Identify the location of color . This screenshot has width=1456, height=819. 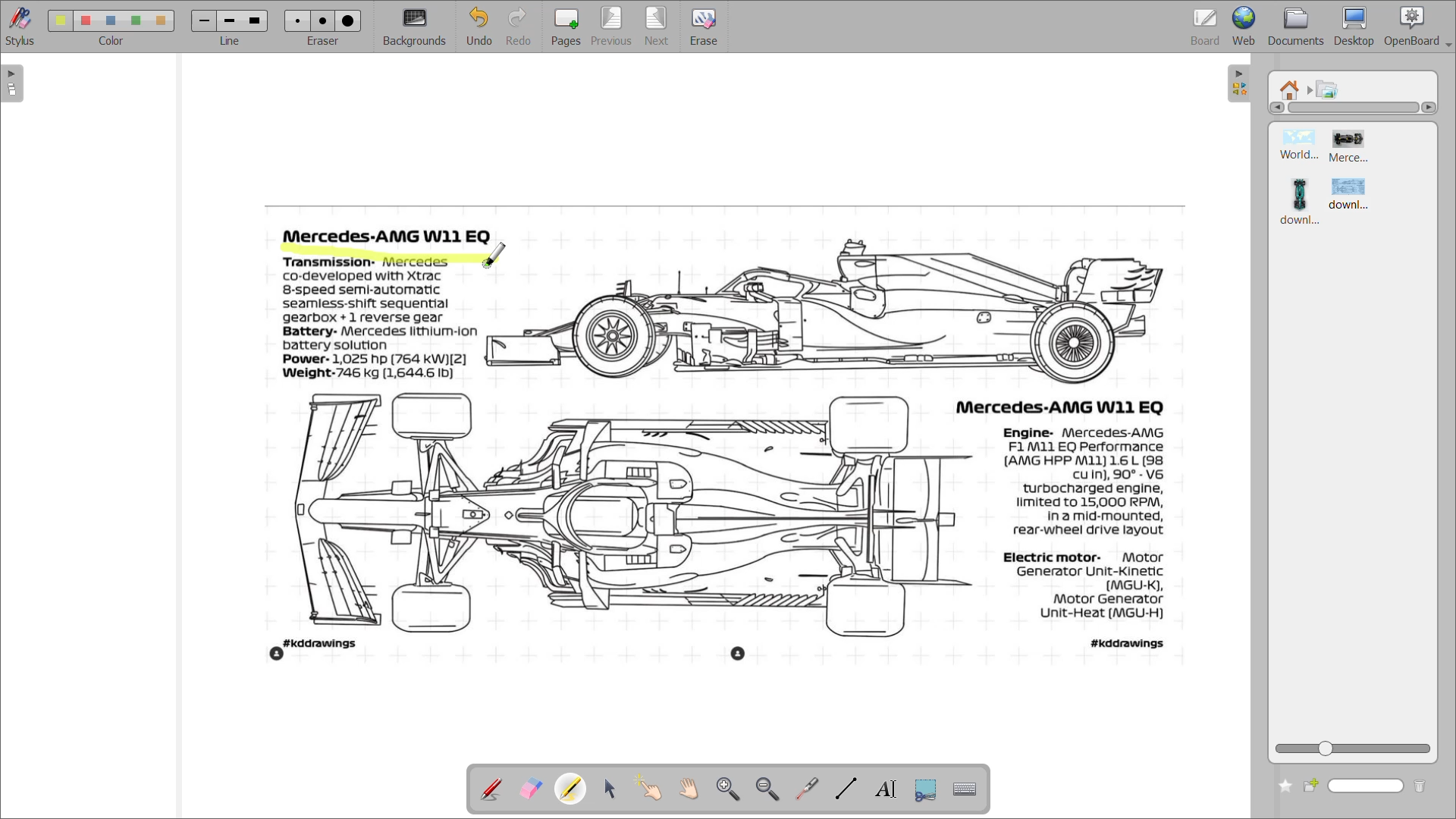
(110, 42).